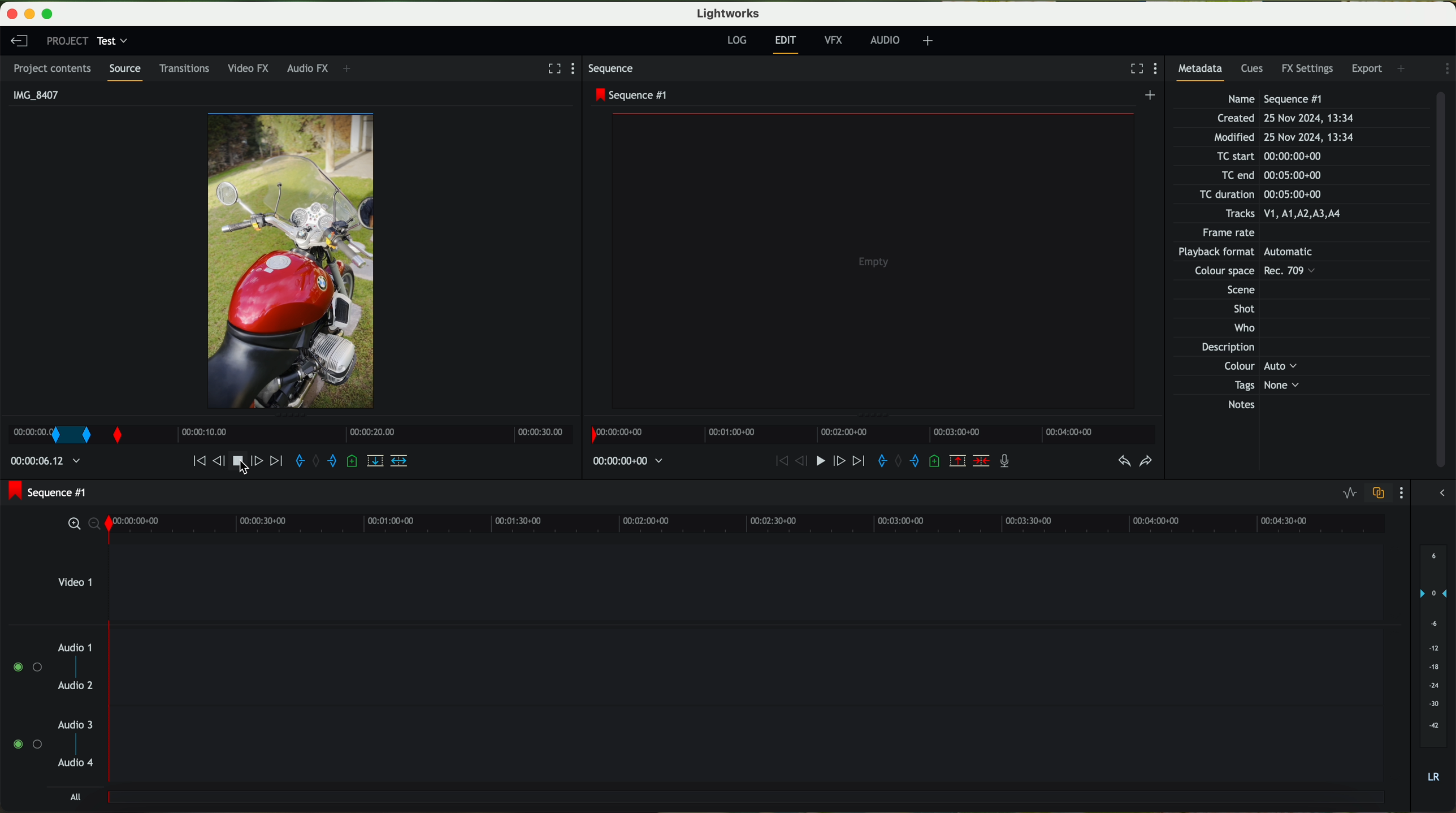  I want to click on all, so click(77, 798).